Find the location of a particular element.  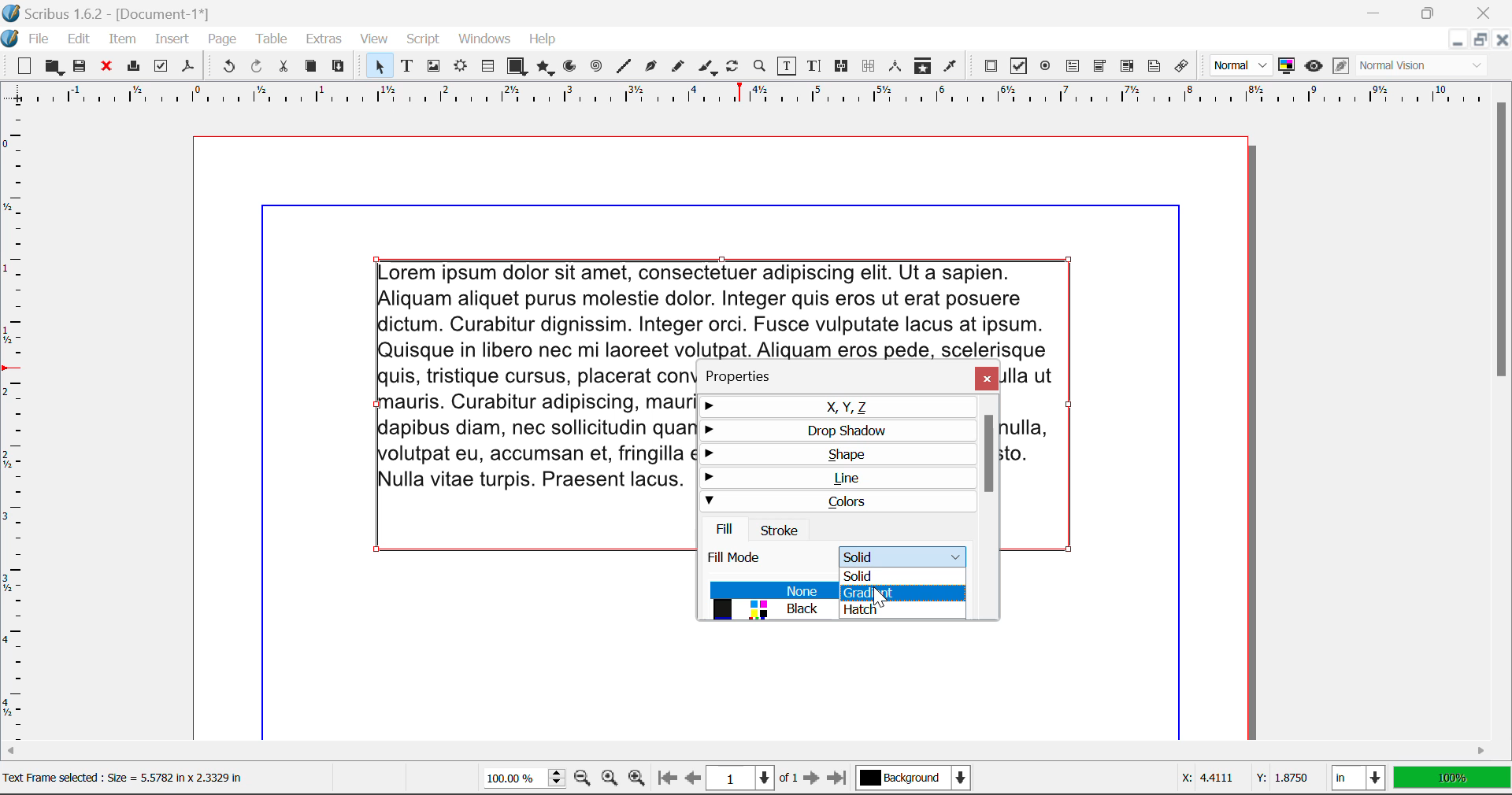

text is located at coordinates (535, 428).